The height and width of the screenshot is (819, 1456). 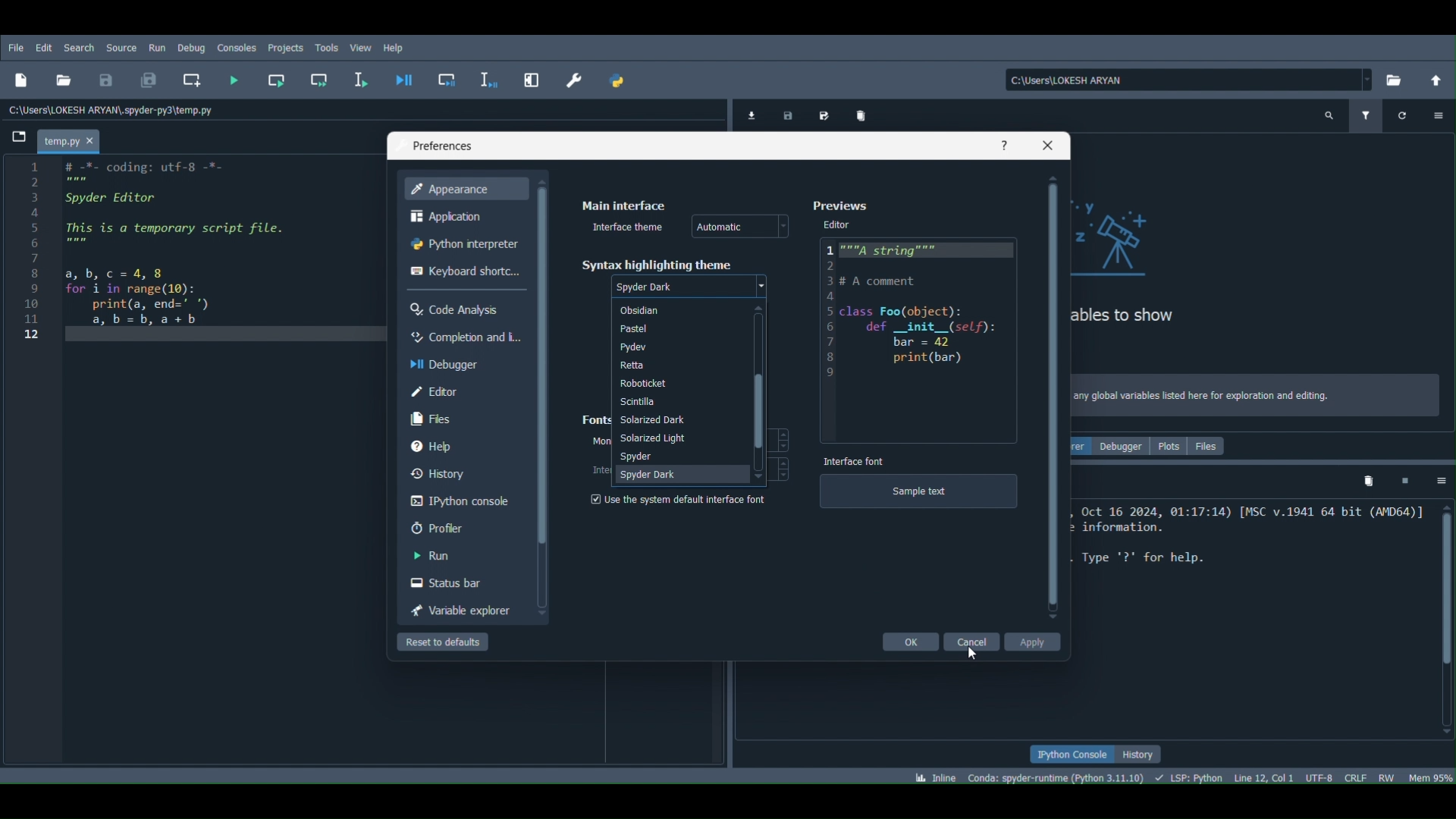 What do you see at coordinates (1371, 117) in the screenshot?
I see `Filter variables` at bounding box center [1371, 117].